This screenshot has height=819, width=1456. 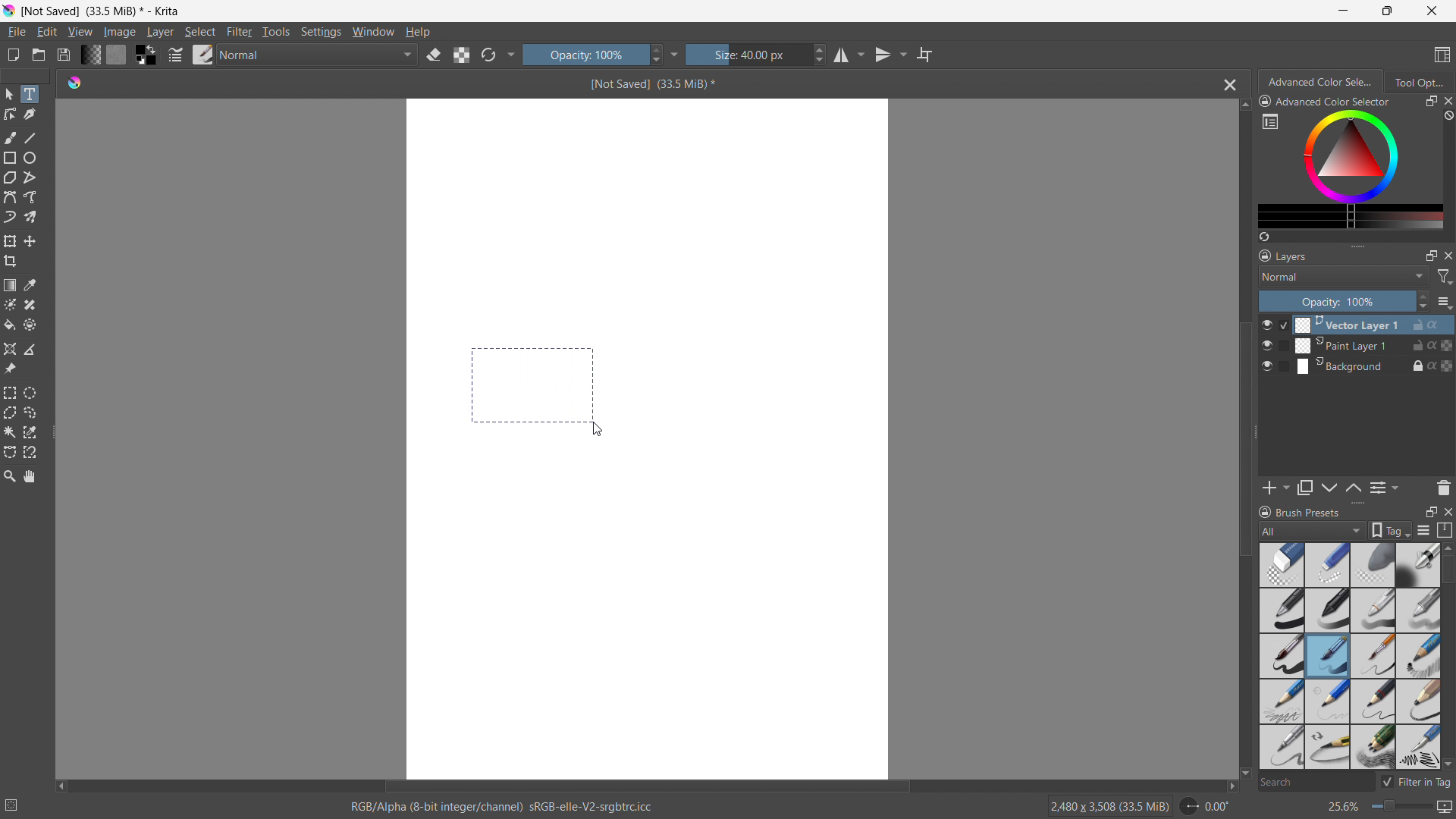 What do you see at coordinates (646, 603) in the screenshot?
I see `canvas` at bounding box center [646, 603].